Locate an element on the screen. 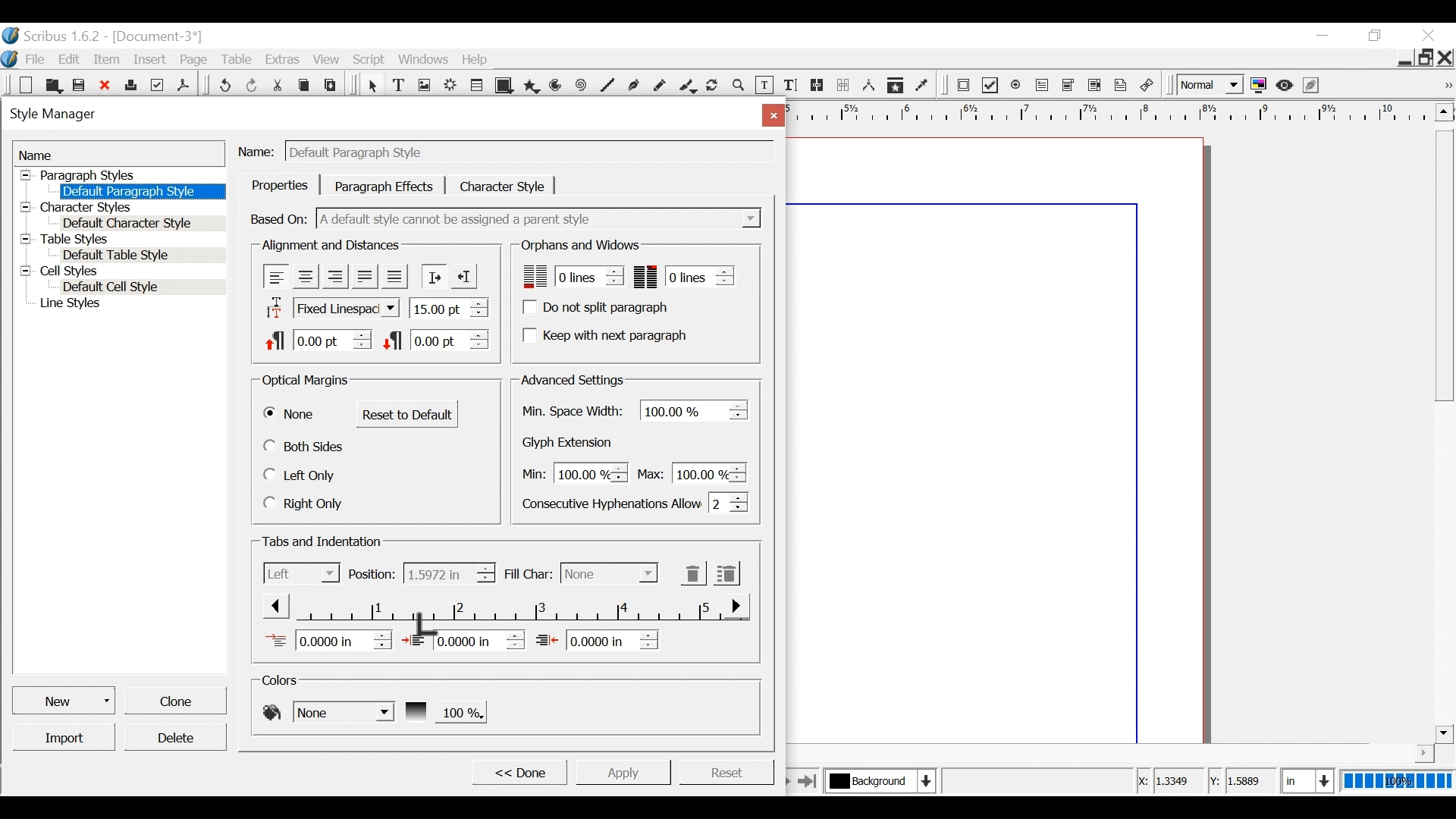 The image size is (1456, 819). (un)Select left only is located at coordinates (302, 475).